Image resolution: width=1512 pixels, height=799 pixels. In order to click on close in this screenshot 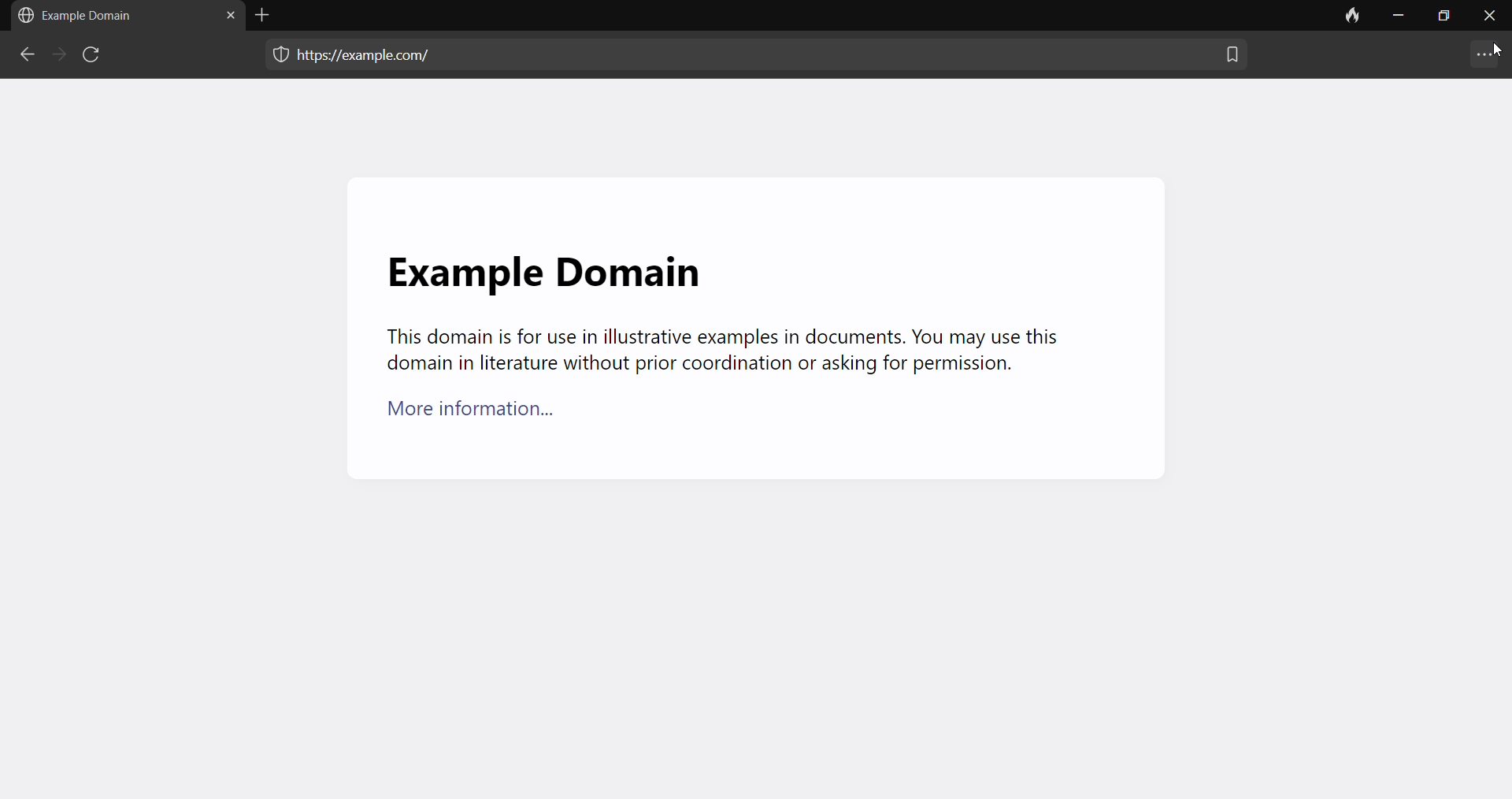, I will do `click(1489, 20)`.